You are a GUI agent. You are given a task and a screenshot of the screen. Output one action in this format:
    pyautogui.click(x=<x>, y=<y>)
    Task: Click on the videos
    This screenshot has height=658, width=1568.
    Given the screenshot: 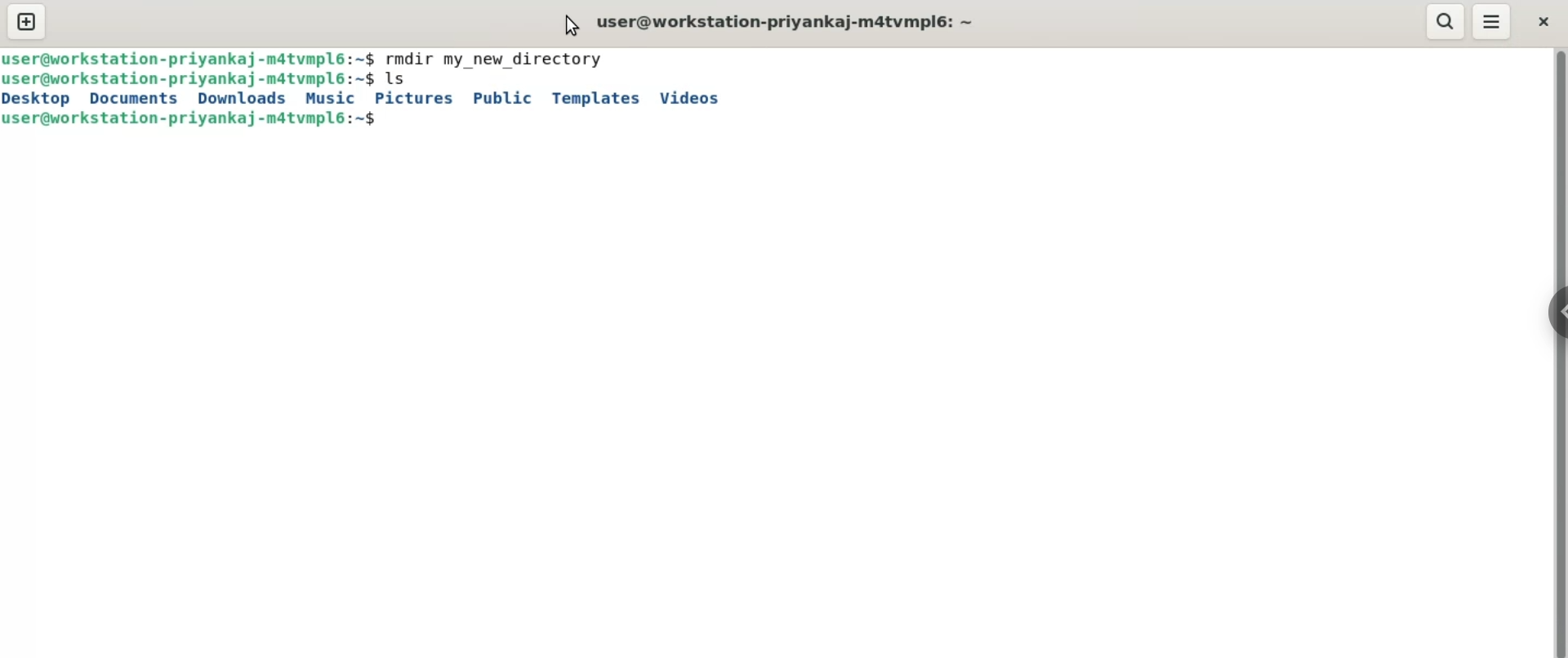 What is the action you would take?
    pyautogui.click(x=692, y=98)
    